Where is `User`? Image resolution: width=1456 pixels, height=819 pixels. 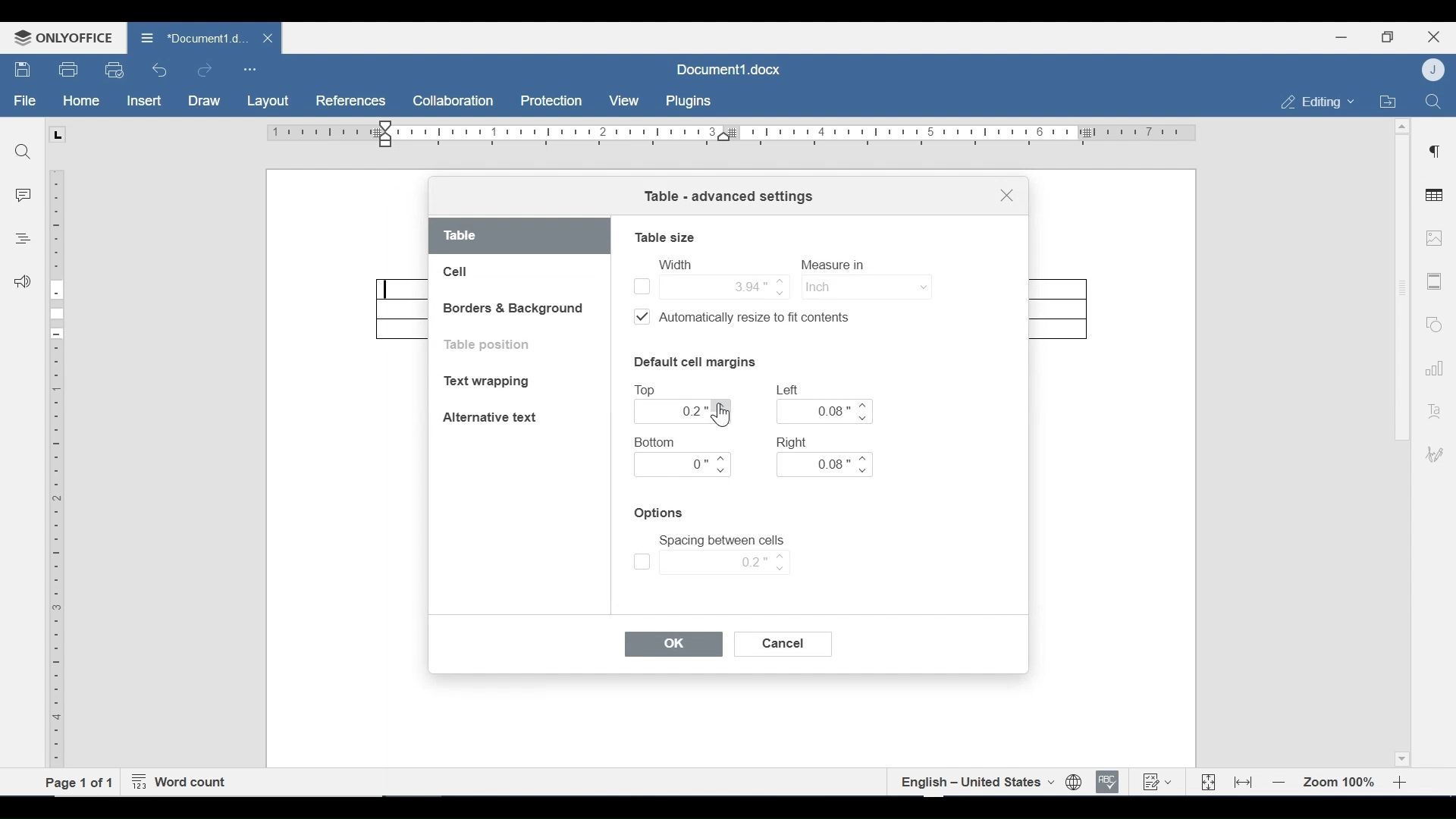
User is located at coordinates (1435, 69).